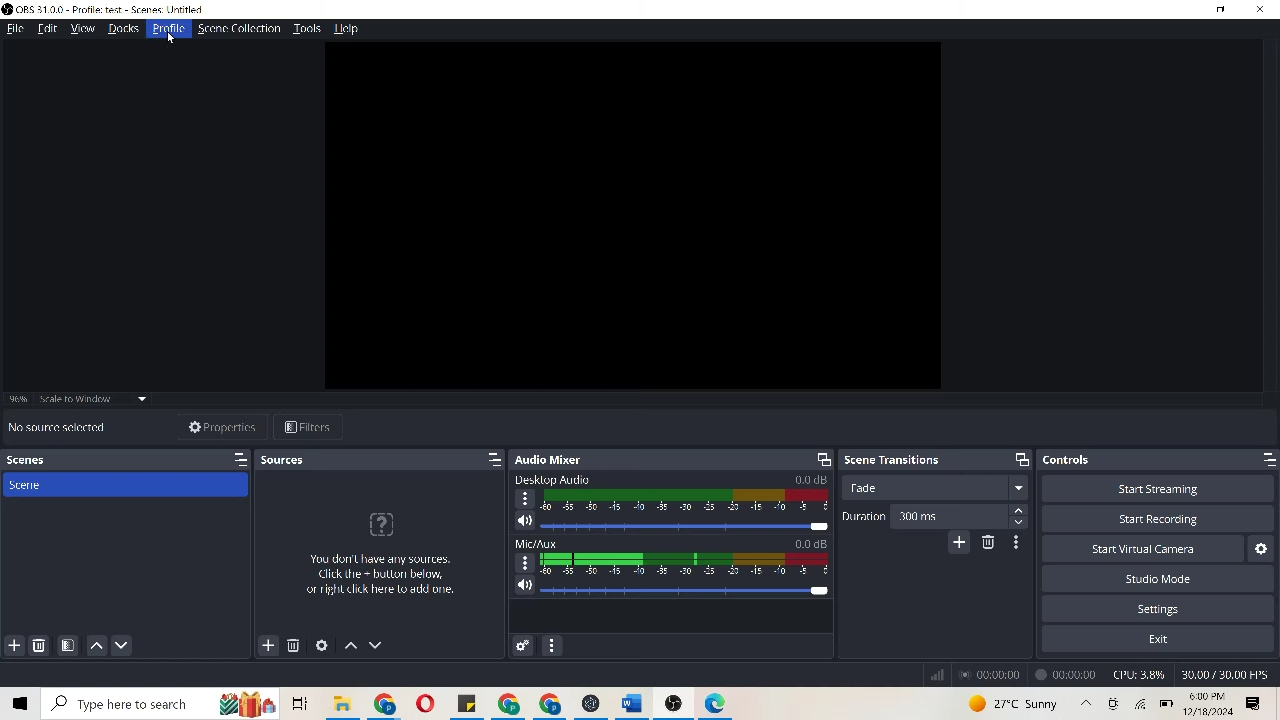 The height and width of the screenshot is (720, 1280). Describe the element at coordinates (1014, 702) in the screenshot. I see `weahter` at that location.